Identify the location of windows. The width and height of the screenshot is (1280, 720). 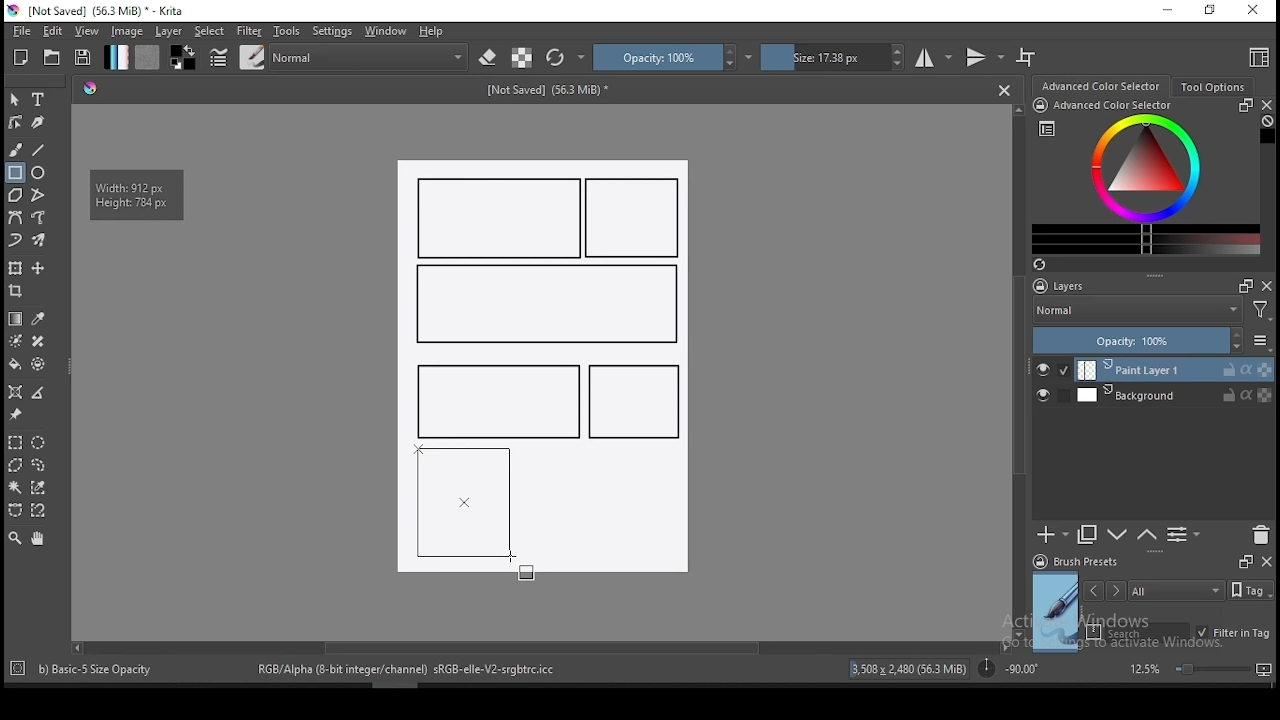
(386, 31).